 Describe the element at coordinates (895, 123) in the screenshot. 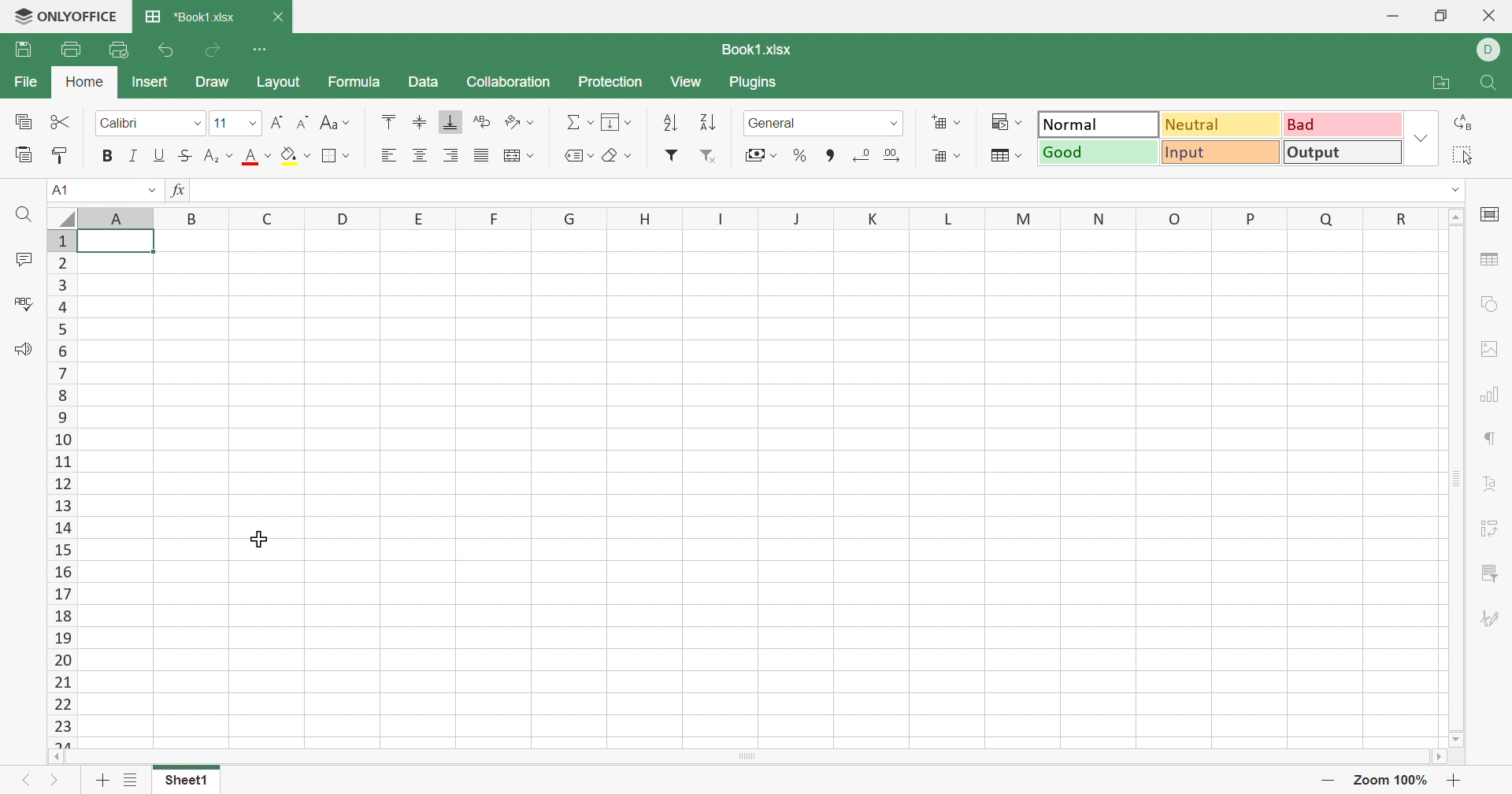

I see `Drop Down` at that location.